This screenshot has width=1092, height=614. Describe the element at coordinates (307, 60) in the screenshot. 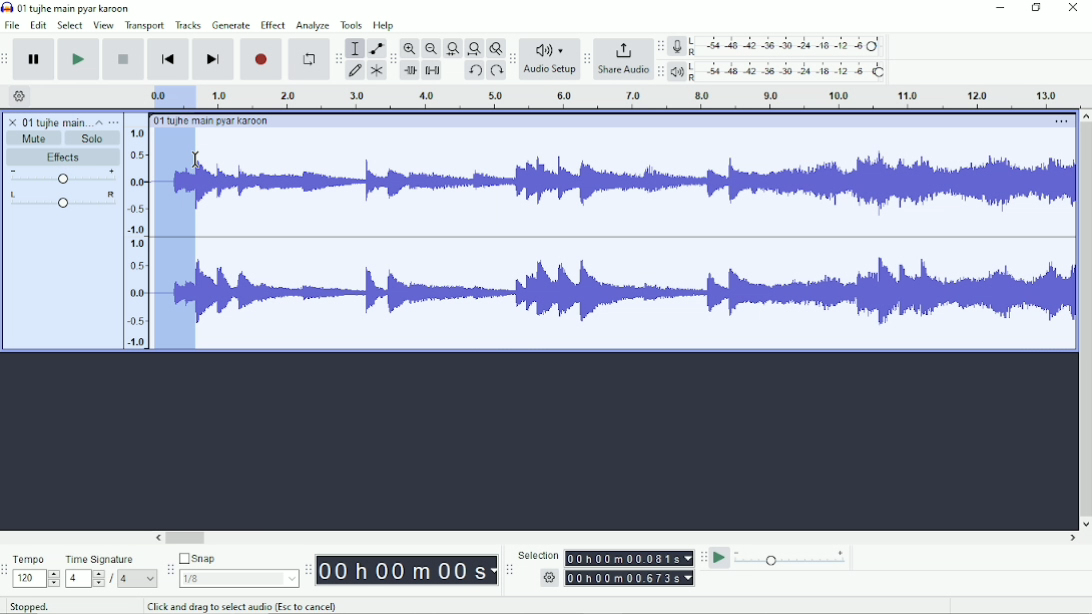

I see `Enable looping` at that location.